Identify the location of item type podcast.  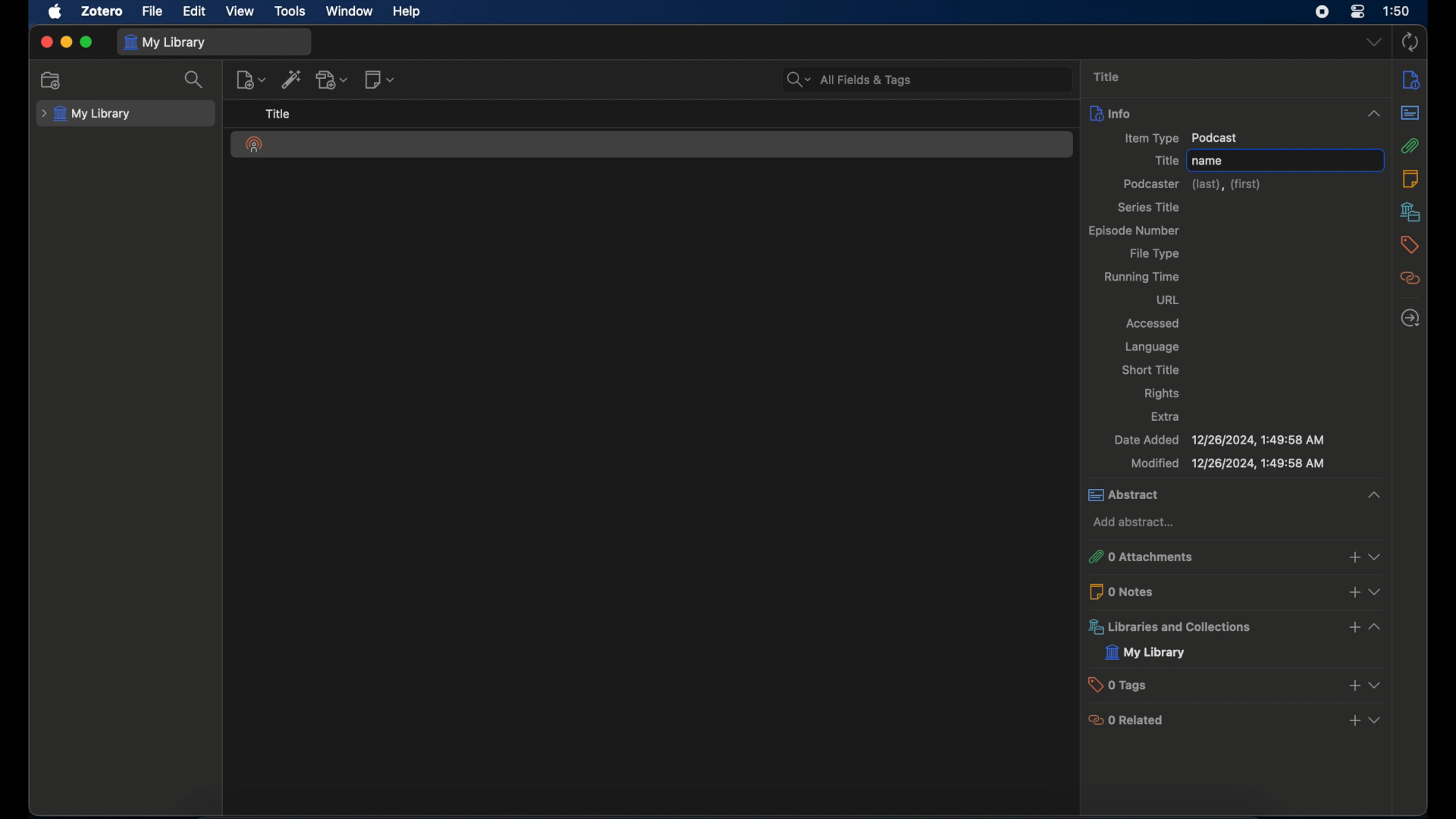
(1182, 138).